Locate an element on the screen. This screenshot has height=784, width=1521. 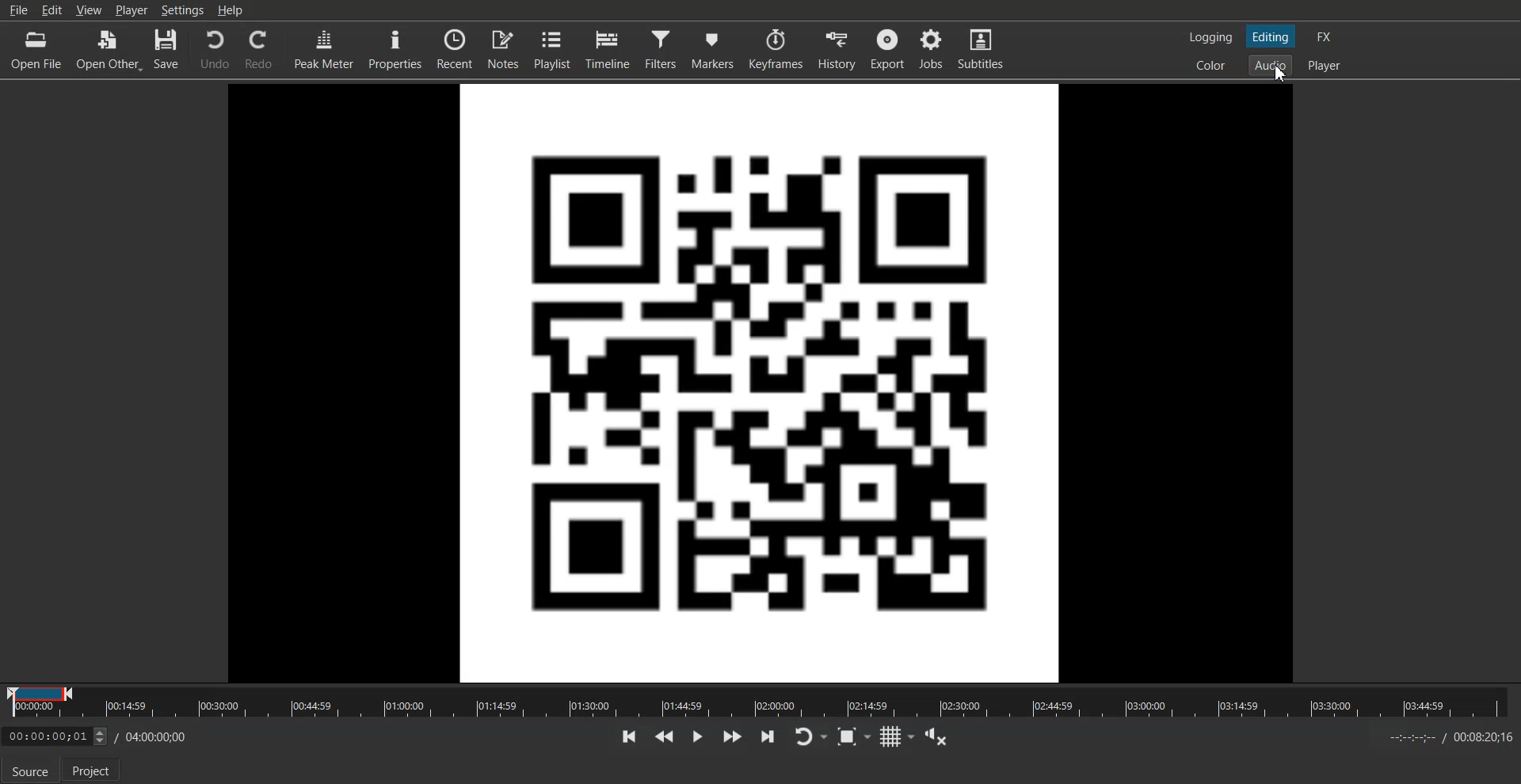
Edit is located at coordinates (52, 10).